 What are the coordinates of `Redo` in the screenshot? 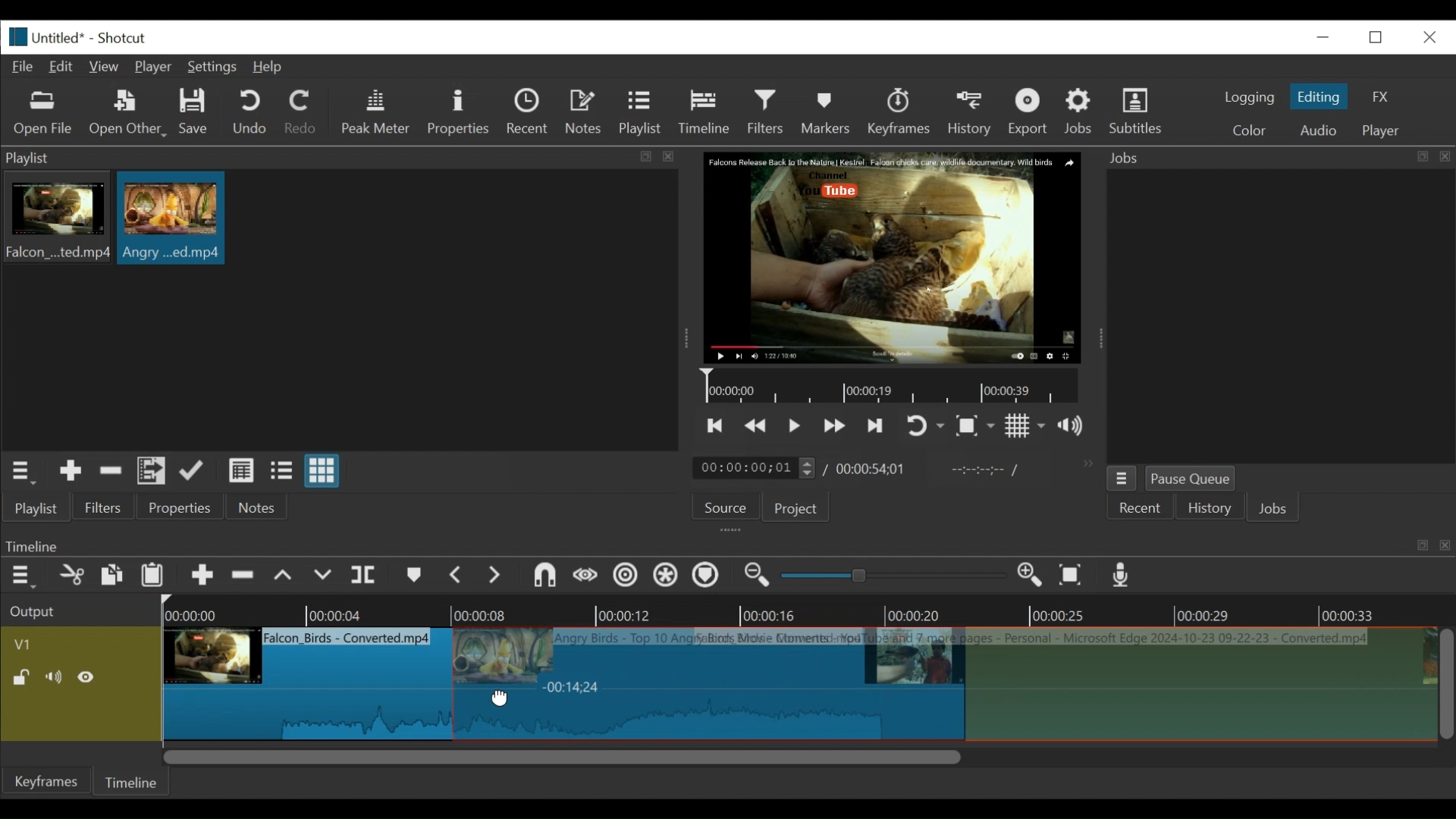 It's located at (301, 115).